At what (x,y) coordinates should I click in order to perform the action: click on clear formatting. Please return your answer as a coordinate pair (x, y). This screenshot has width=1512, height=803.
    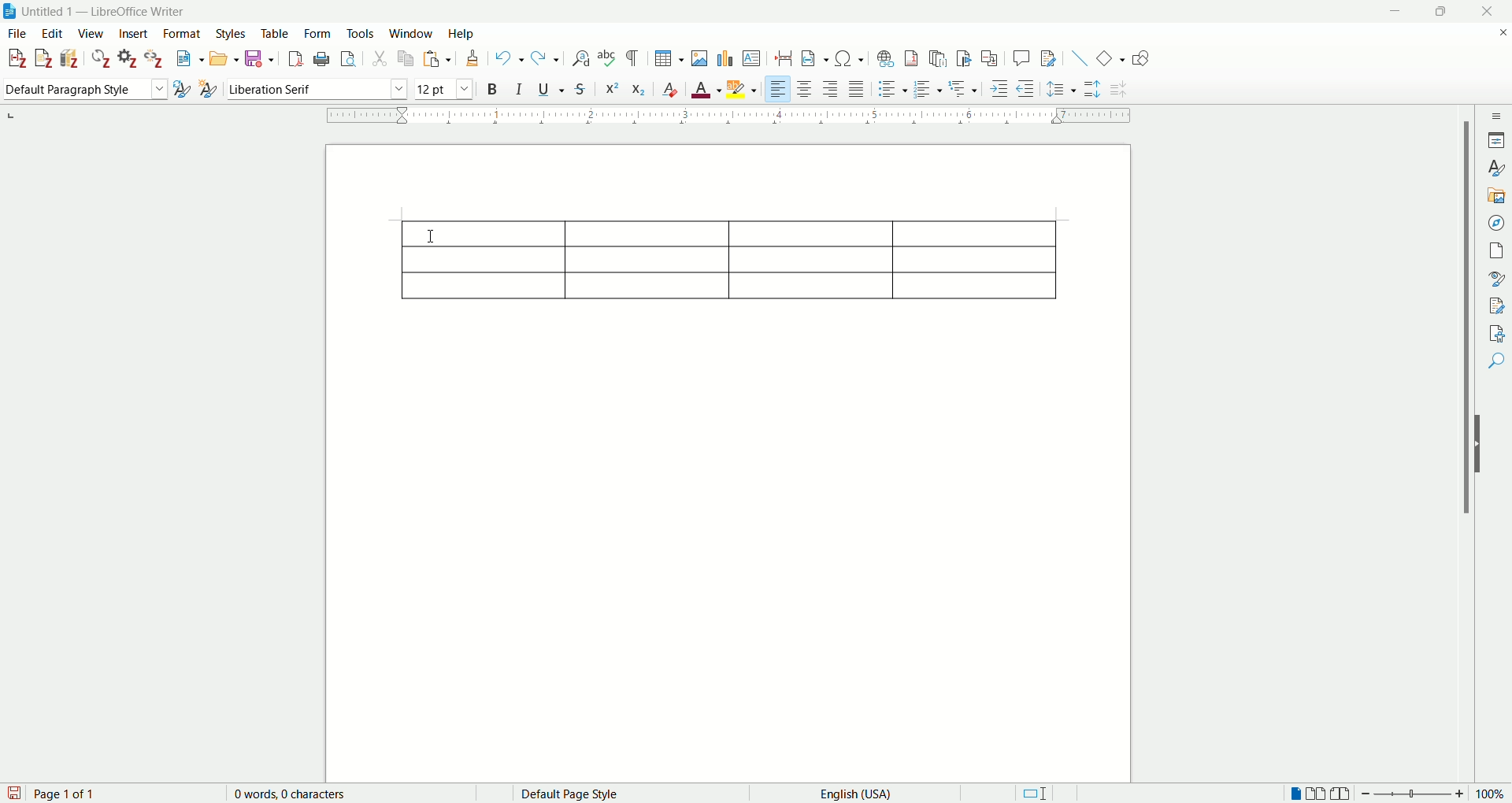
    Looking at the image, I should click on (669, 90).